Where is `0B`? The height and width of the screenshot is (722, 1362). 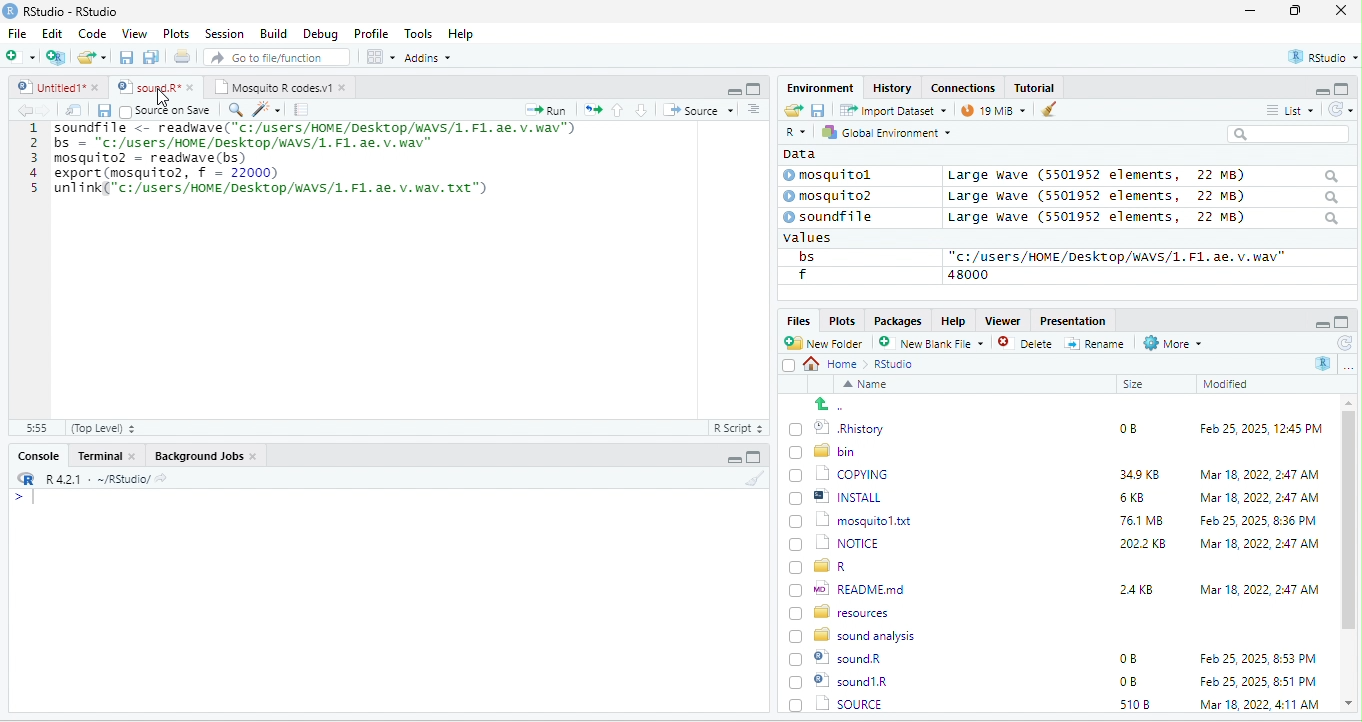 0B is located at coordinates (1121, 426).